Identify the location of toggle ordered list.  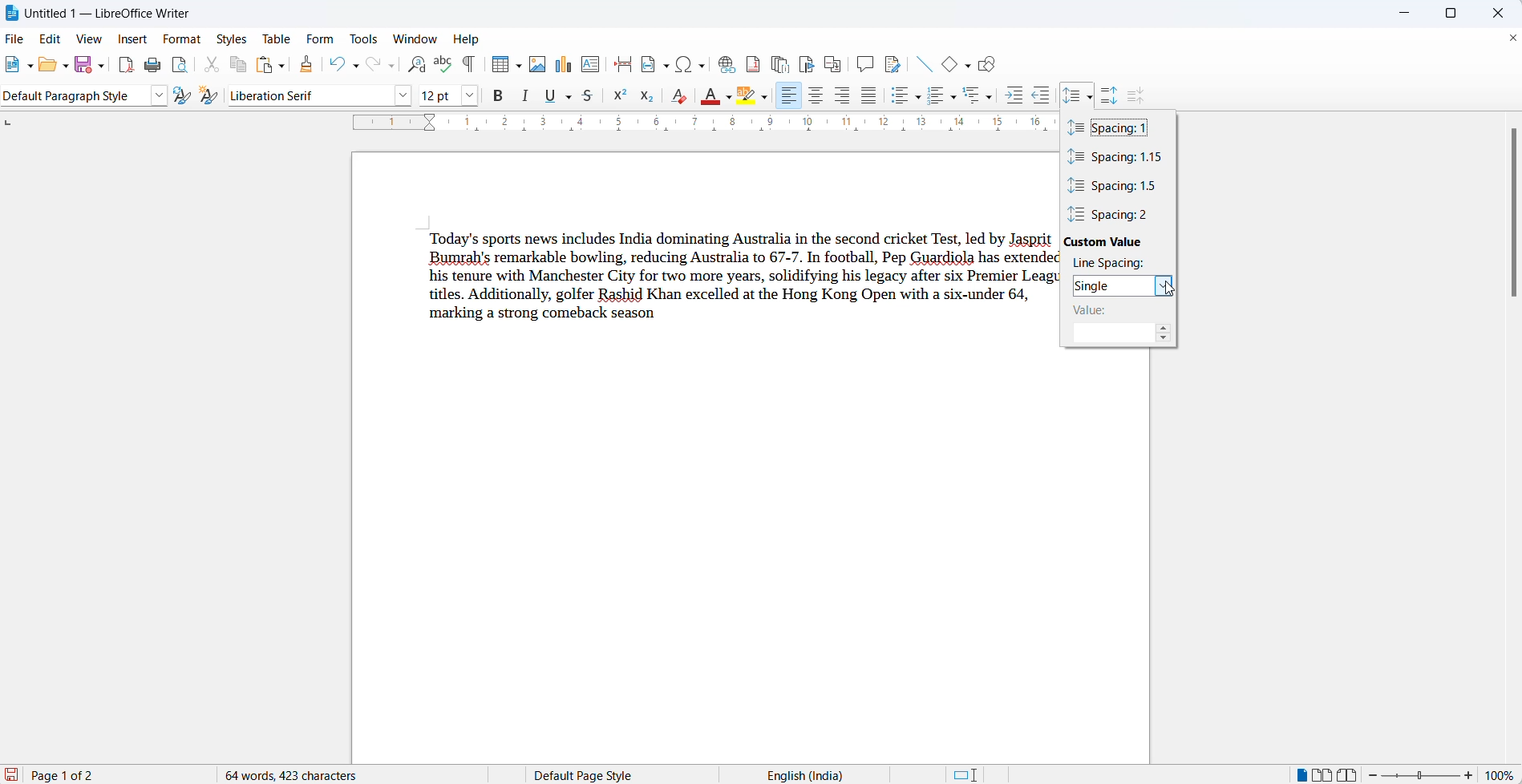
(953, 98).